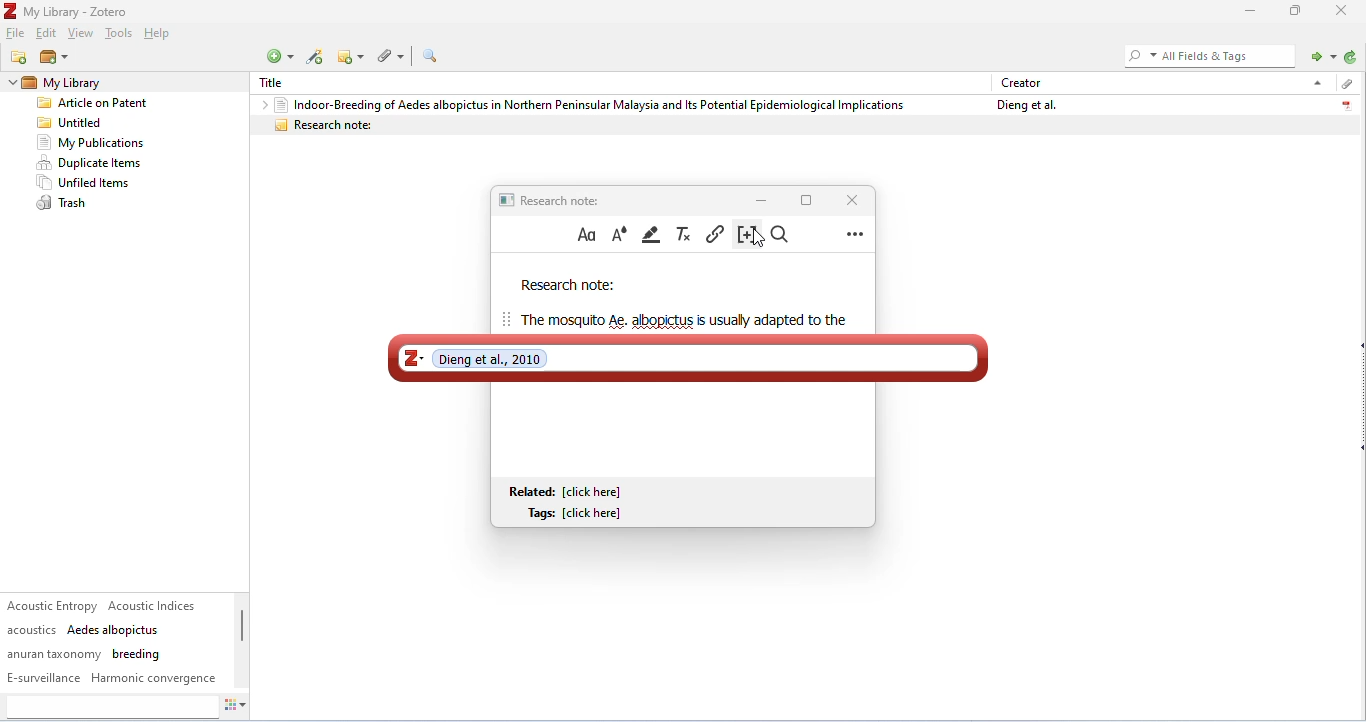 This screenshot has height=722, width=1366. Describe the element at coordinates (806, 199) in the screenshot. I see `maximize` at that location.